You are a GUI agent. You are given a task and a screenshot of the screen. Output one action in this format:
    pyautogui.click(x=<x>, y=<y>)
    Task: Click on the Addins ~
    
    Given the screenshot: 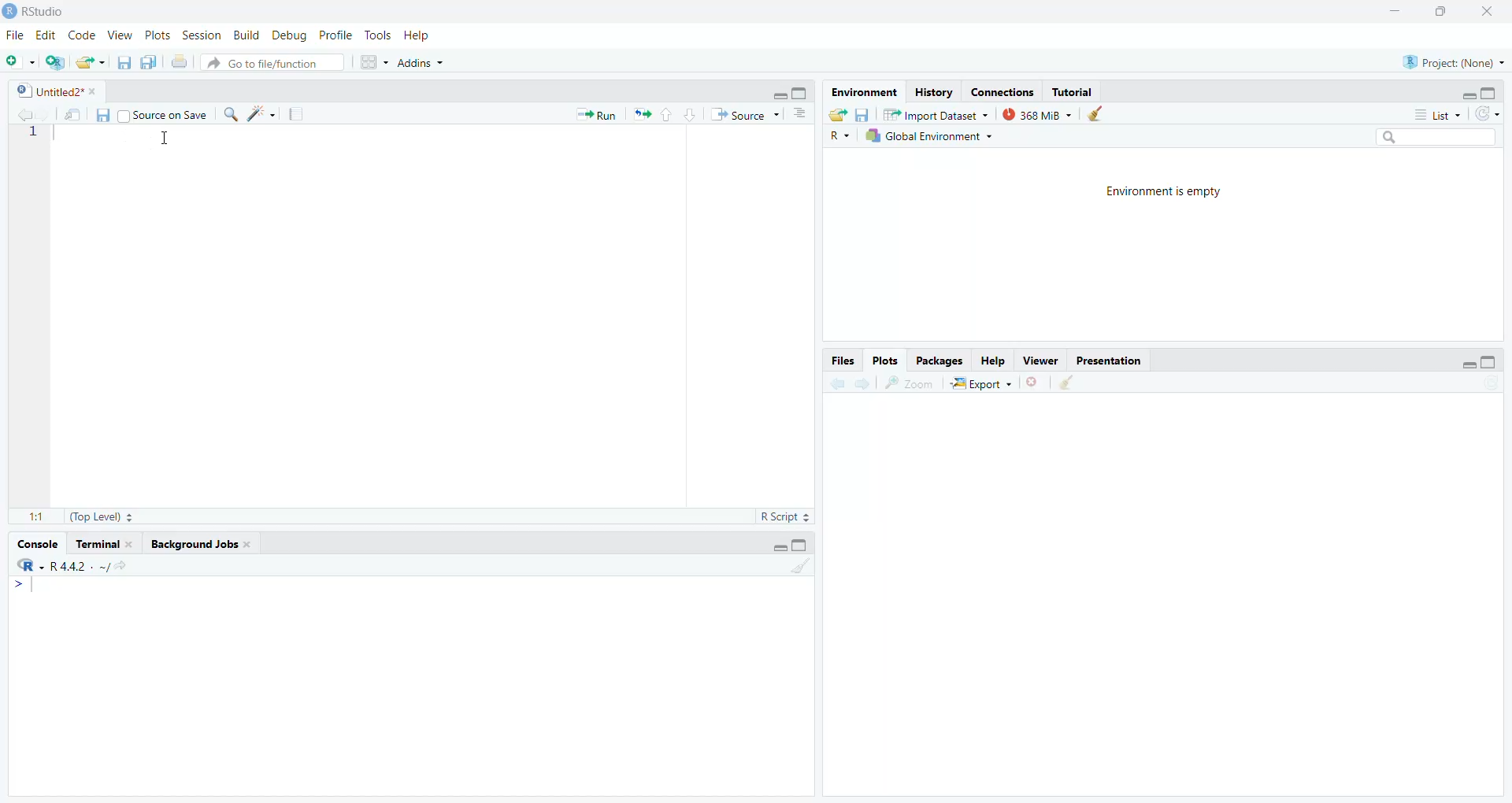 What is the action you would take?
    pyautogui.click(x=424, y=64)
    